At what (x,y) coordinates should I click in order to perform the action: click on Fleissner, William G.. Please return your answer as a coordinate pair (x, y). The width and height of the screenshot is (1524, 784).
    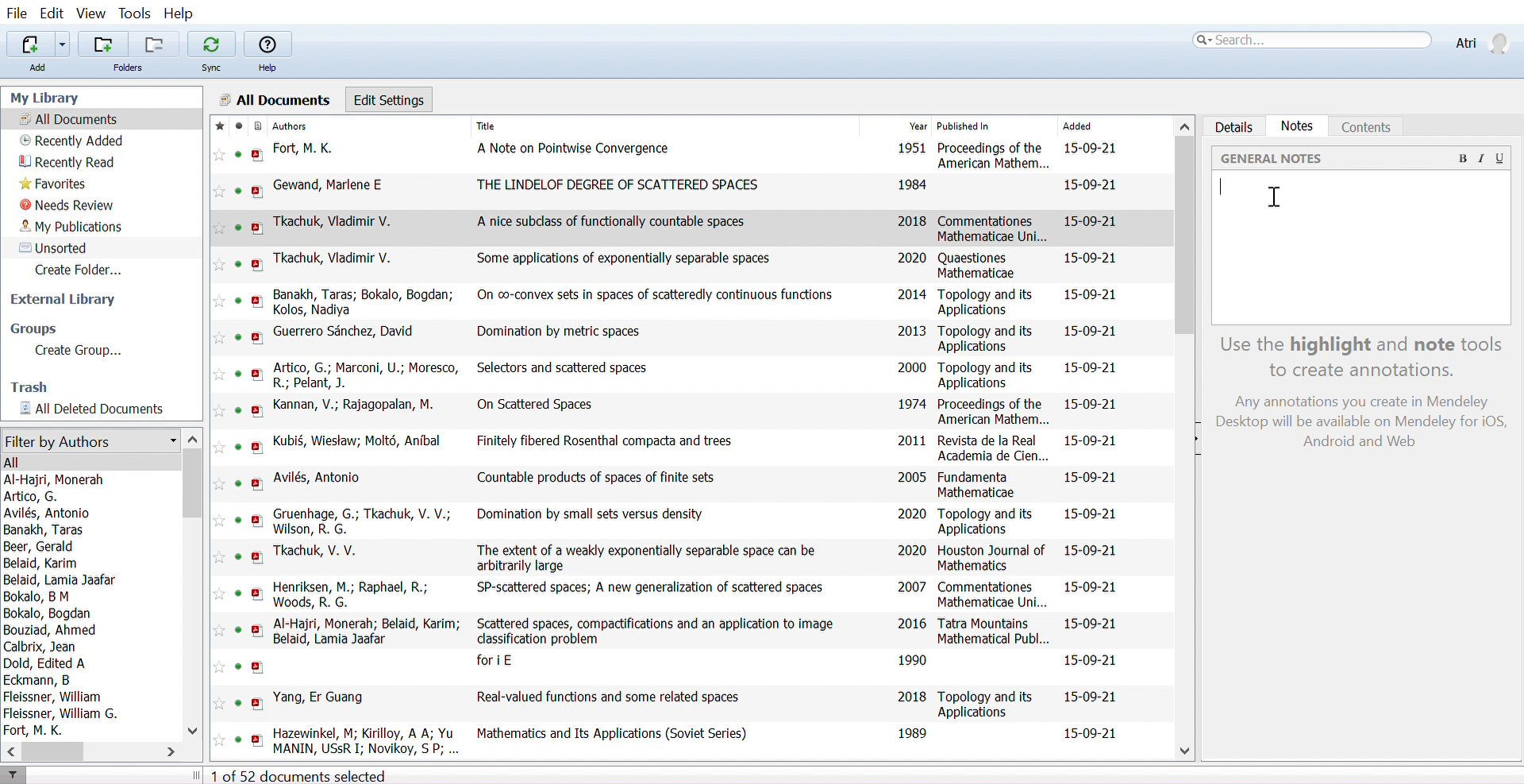
    Looking at the image, I should click on (63, 713).